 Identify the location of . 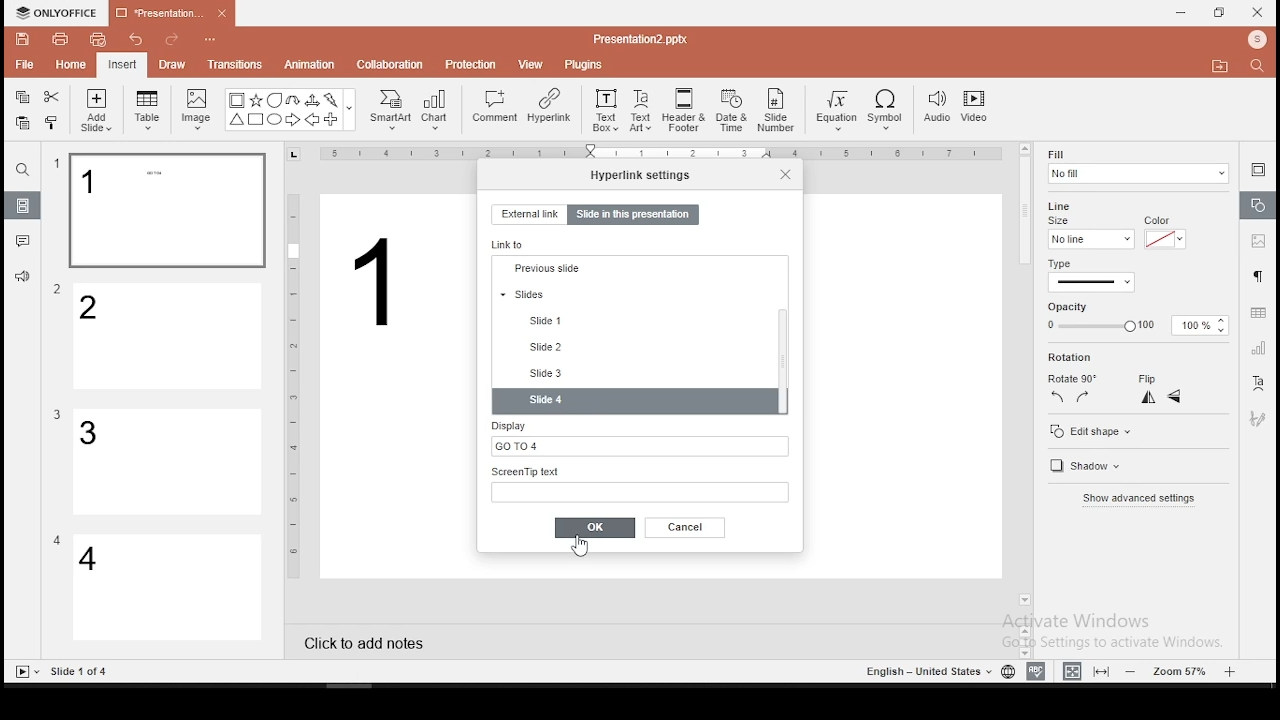
(58, 290).